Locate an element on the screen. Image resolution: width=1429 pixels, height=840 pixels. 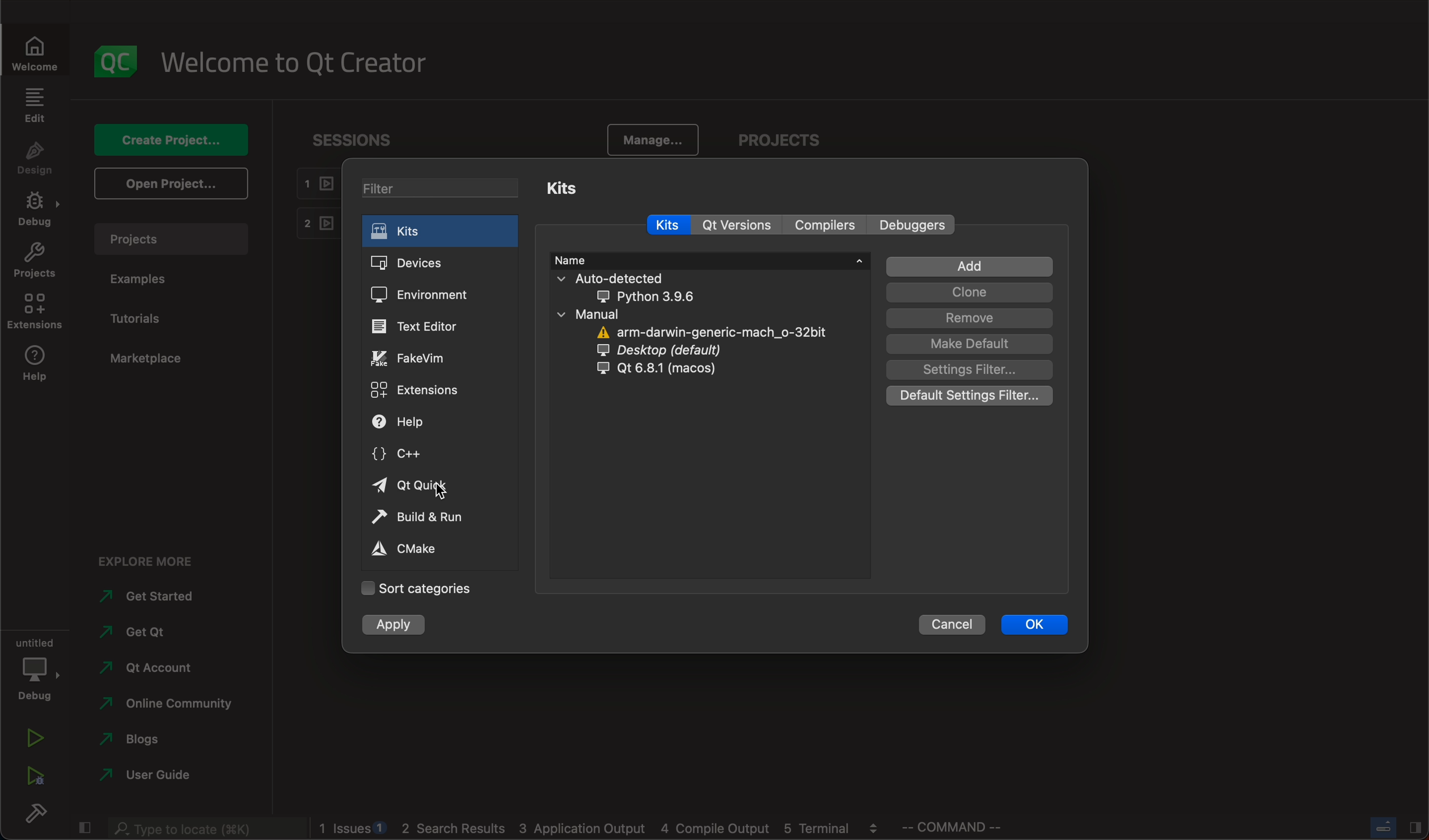
logo is located at coordinates (116, 63).